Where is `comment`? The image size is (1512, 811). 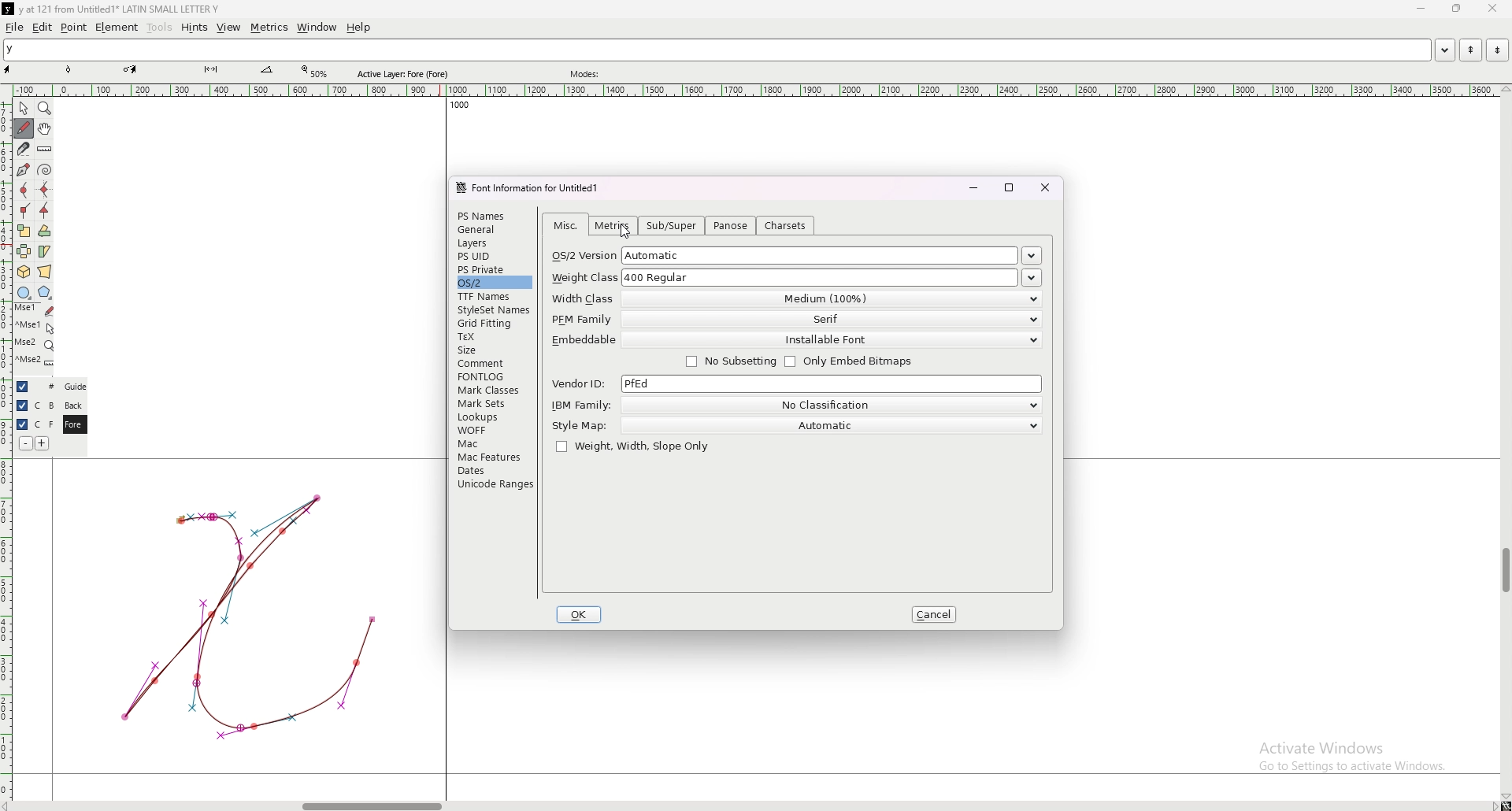
comment is located at coordinates (495, 362).